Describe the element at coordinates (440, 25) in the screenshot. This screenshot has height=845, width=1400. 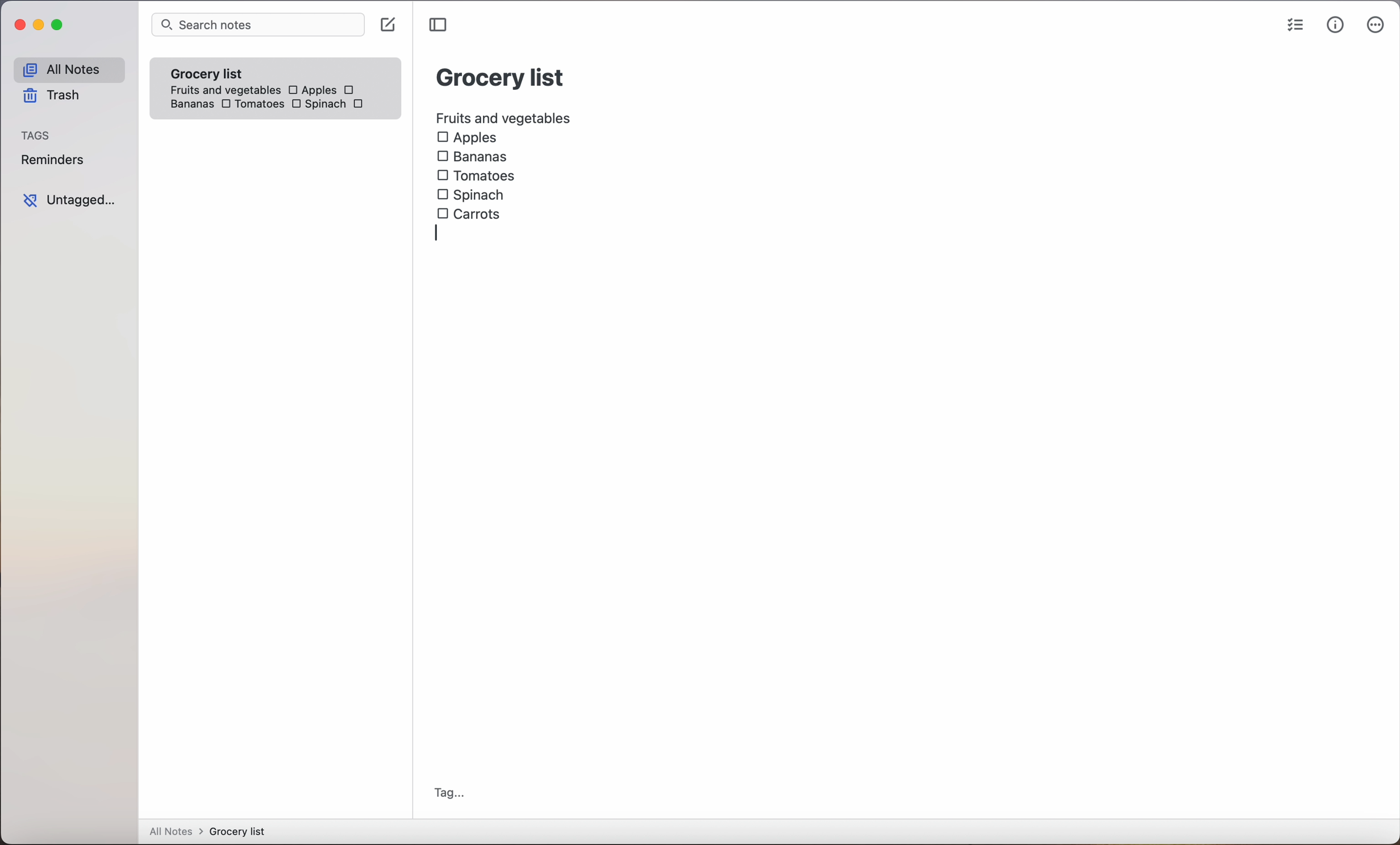
I see `toggle sidebar` at that location.